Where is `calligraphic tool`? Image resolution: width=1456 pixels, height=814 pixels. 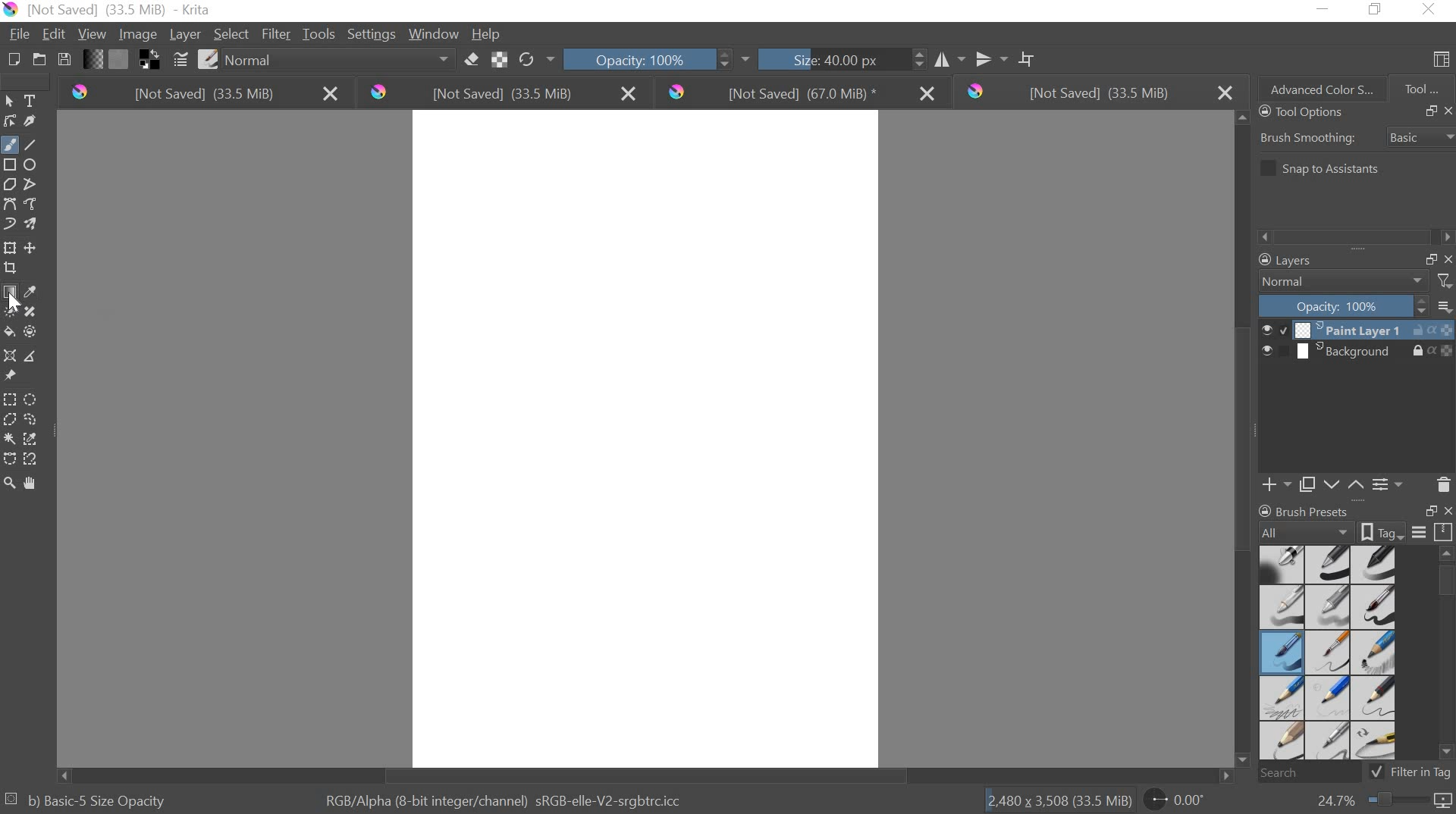
calligraphic tool is located at coordinates (33, 121).